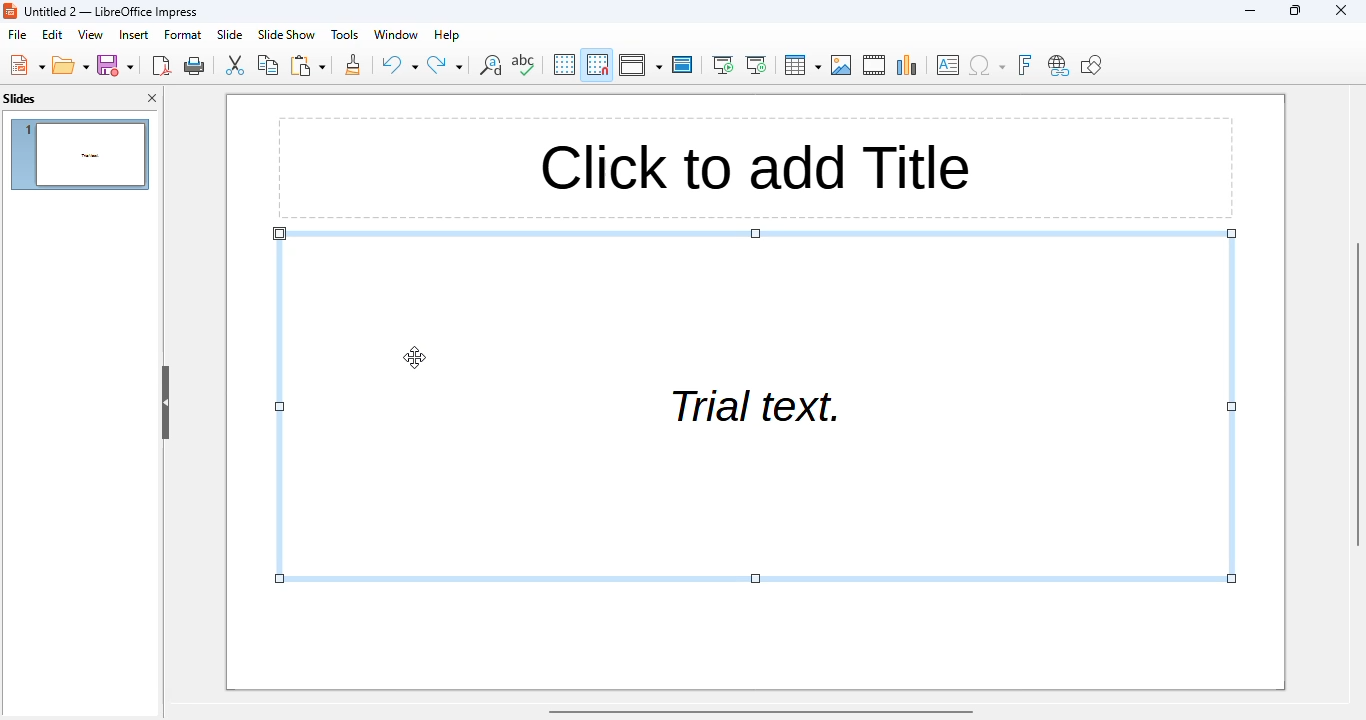  I want to click on insert chart, so click(908, 65).